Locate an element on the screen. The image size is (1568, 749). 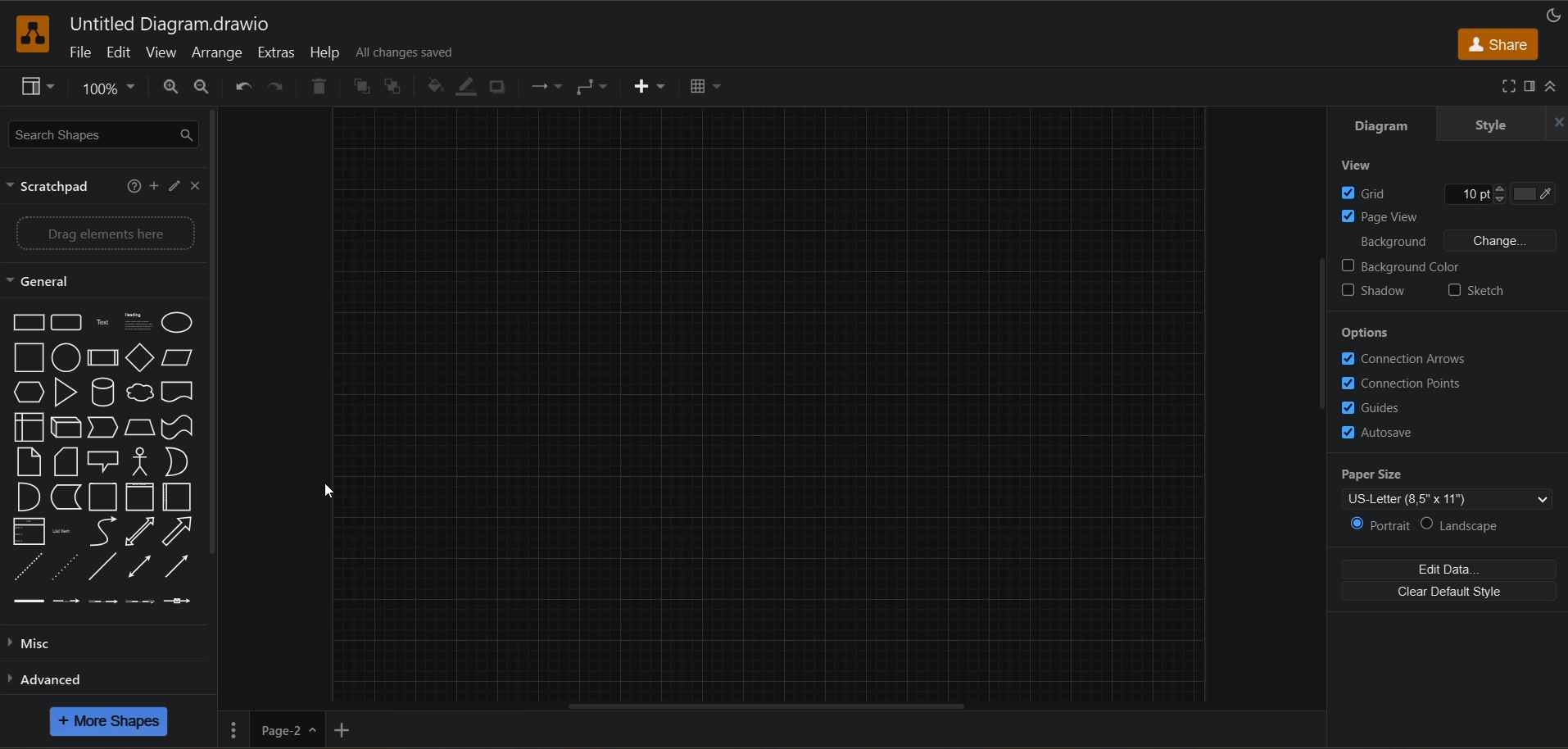
connection is located at coordinates (544, 86).